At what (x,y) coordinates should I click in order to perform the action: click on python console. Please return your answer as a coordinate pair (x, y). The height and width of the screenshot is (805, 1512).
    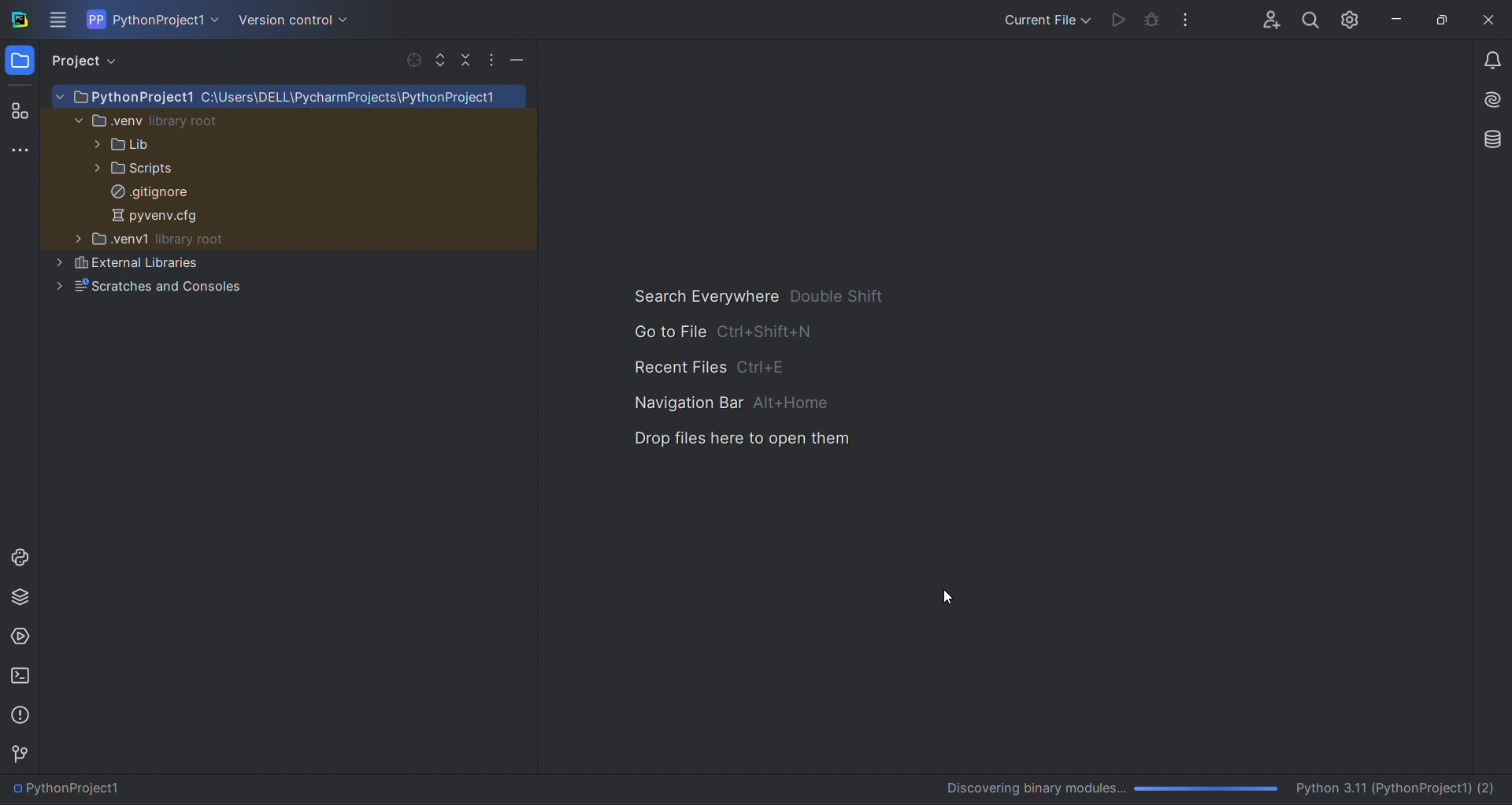
    Looking at the image, I should click on (18, 556).